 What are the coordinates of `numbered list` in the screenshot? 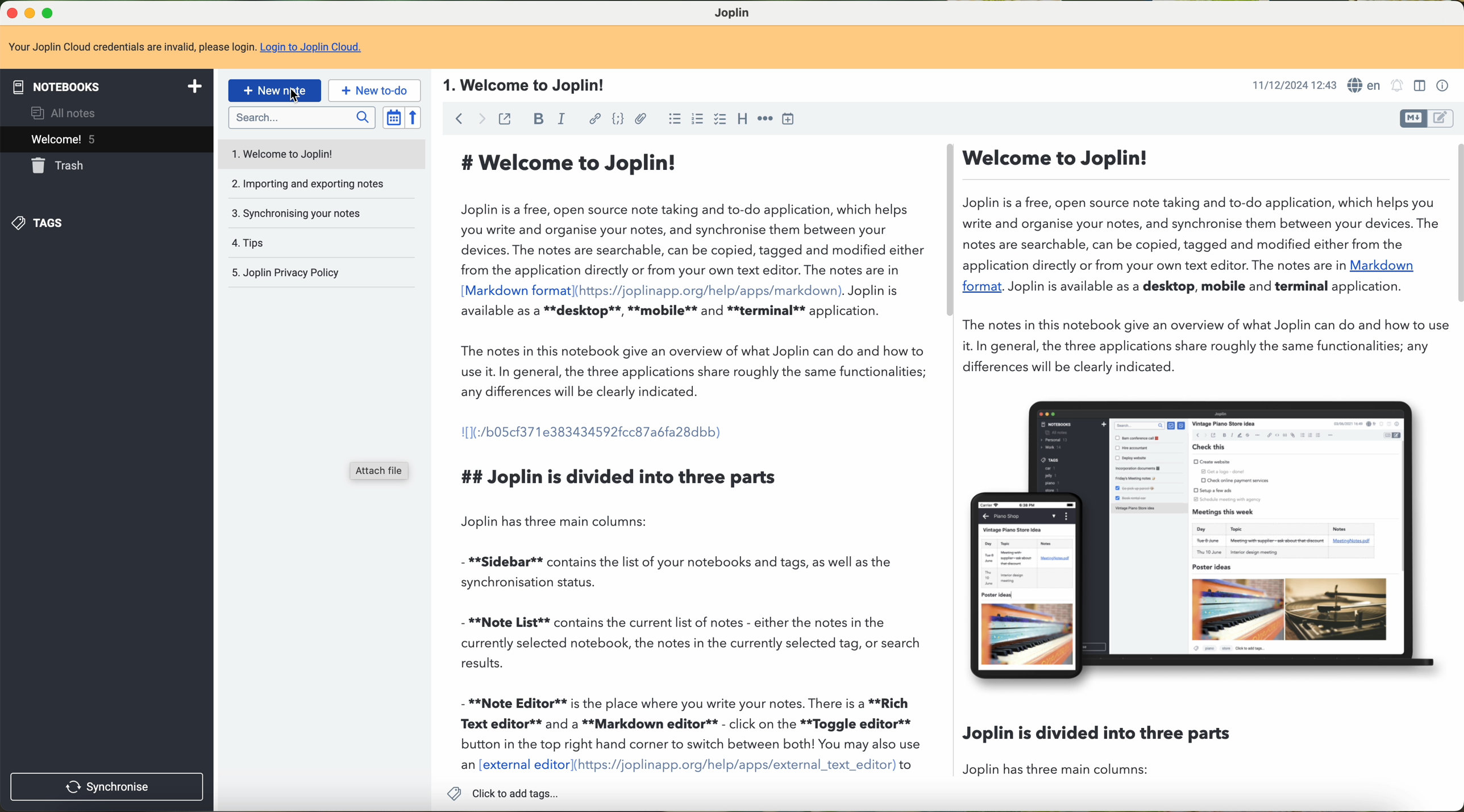 It's located at (698, 120).